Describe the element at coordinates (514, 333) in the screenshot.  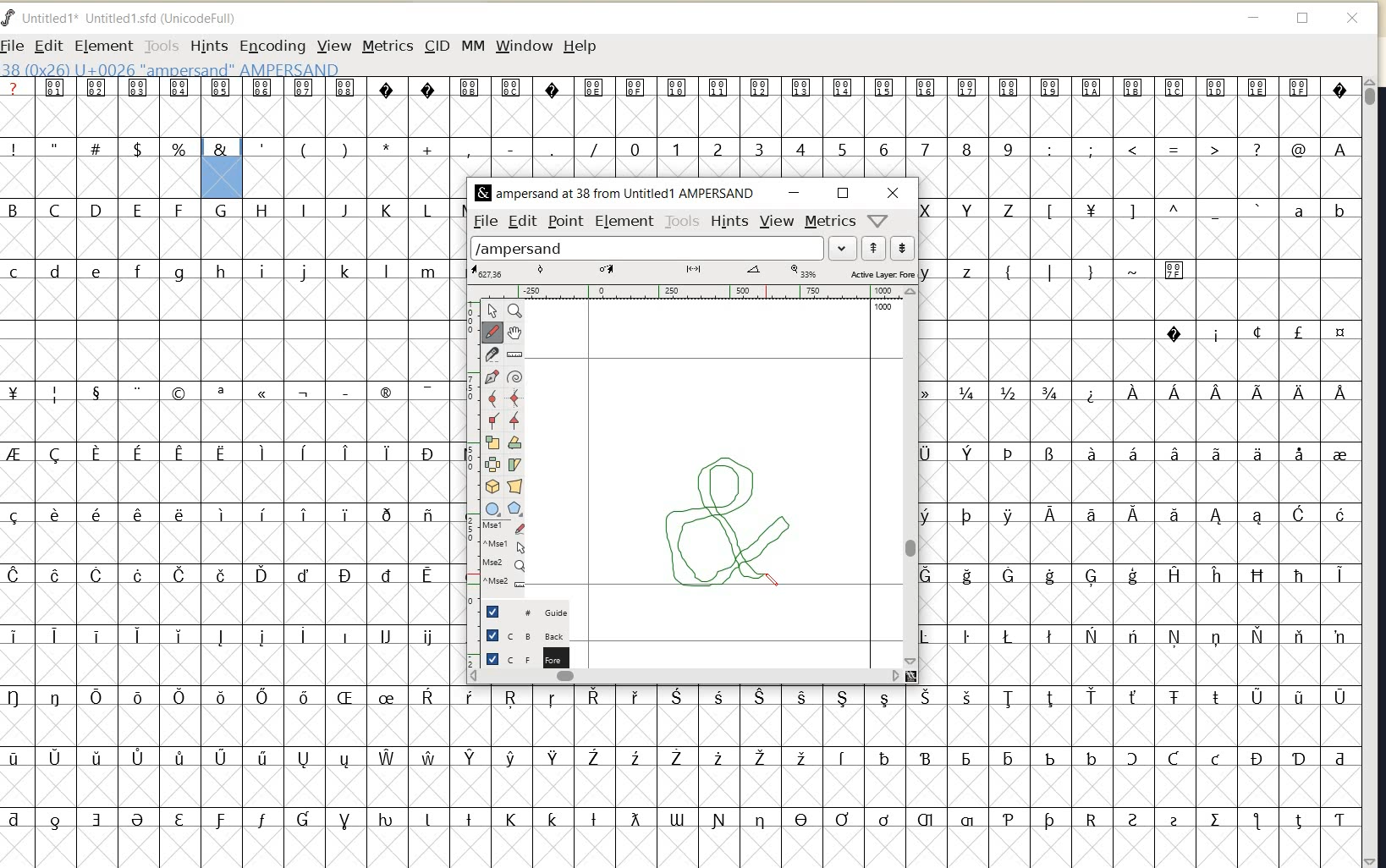
I see `scroll by hand` at that location.